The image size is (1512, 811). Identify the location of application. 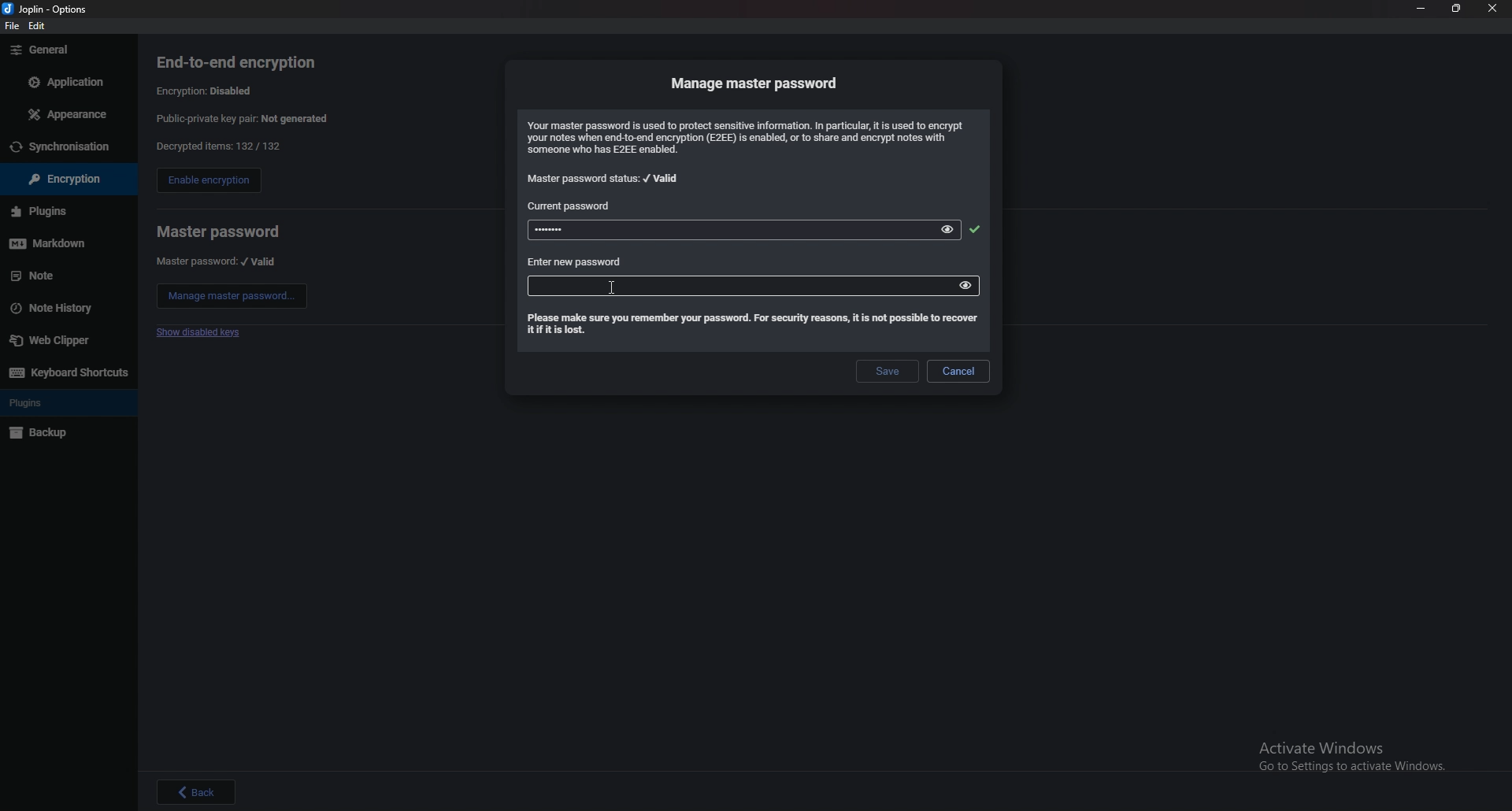
(64, 80).